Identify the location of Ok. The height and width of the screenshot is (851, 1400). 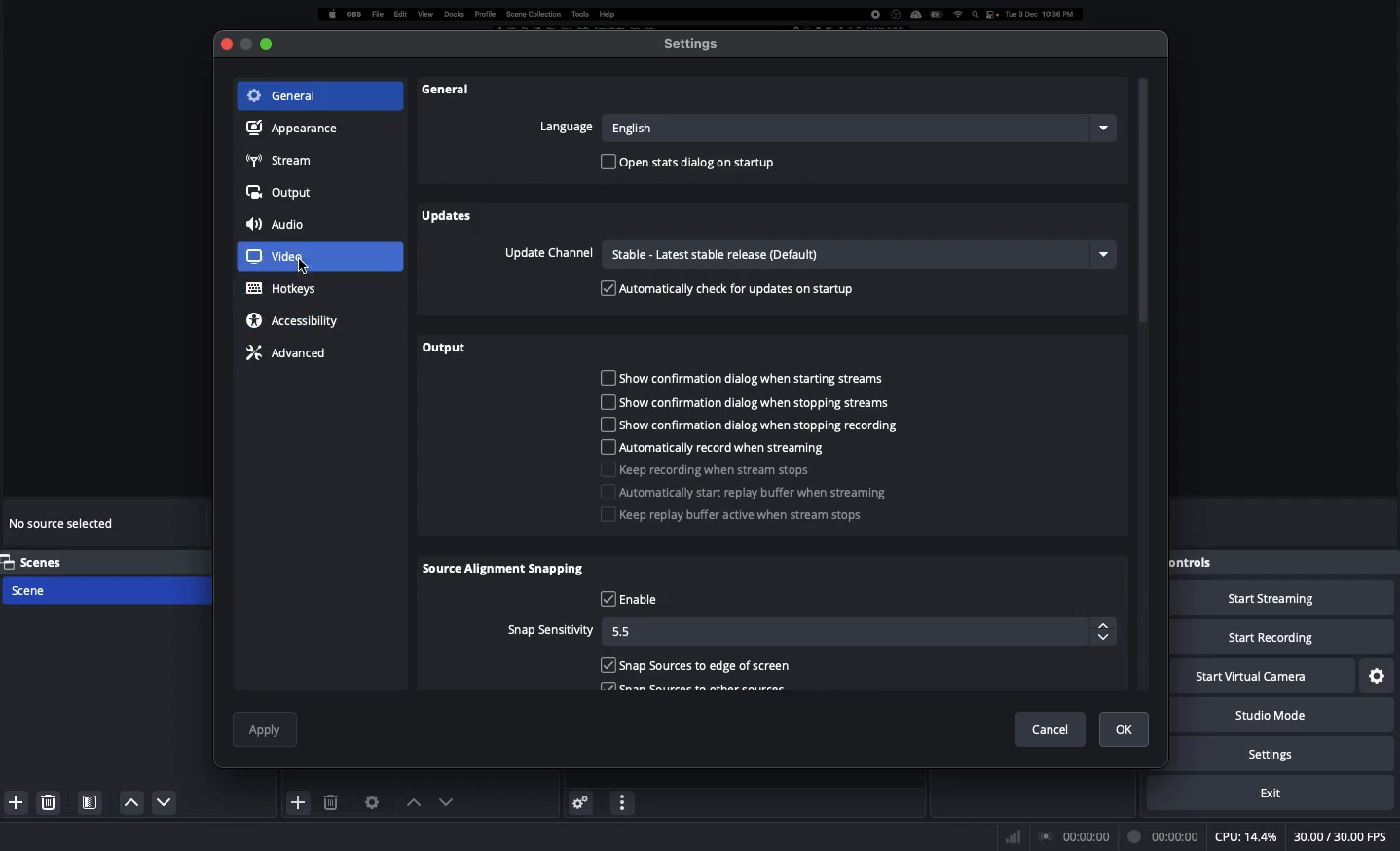
(1125, 729).